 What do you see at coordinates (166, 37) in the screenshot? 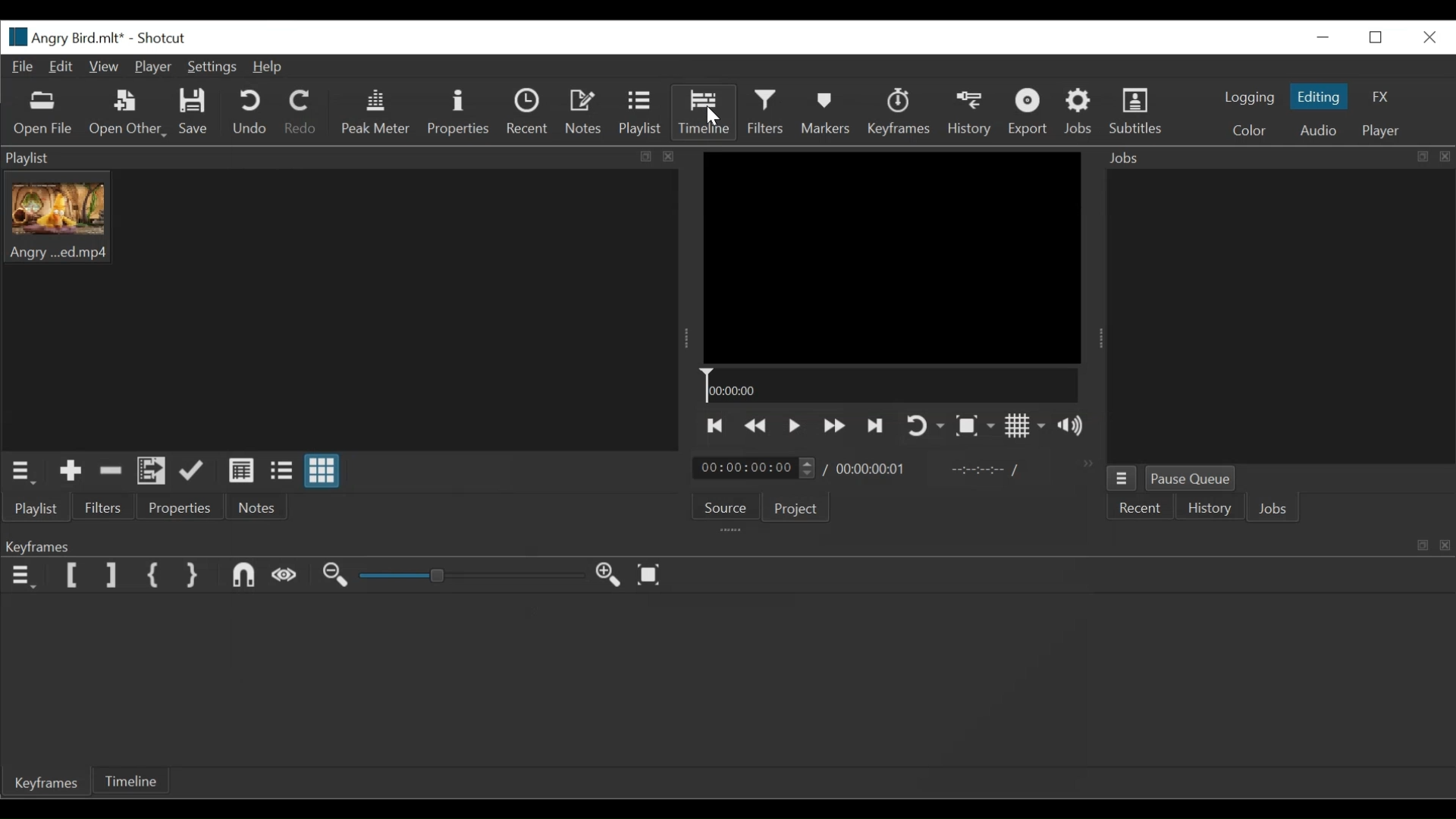
I see `Shotcut` at bounding box center [166, 37].